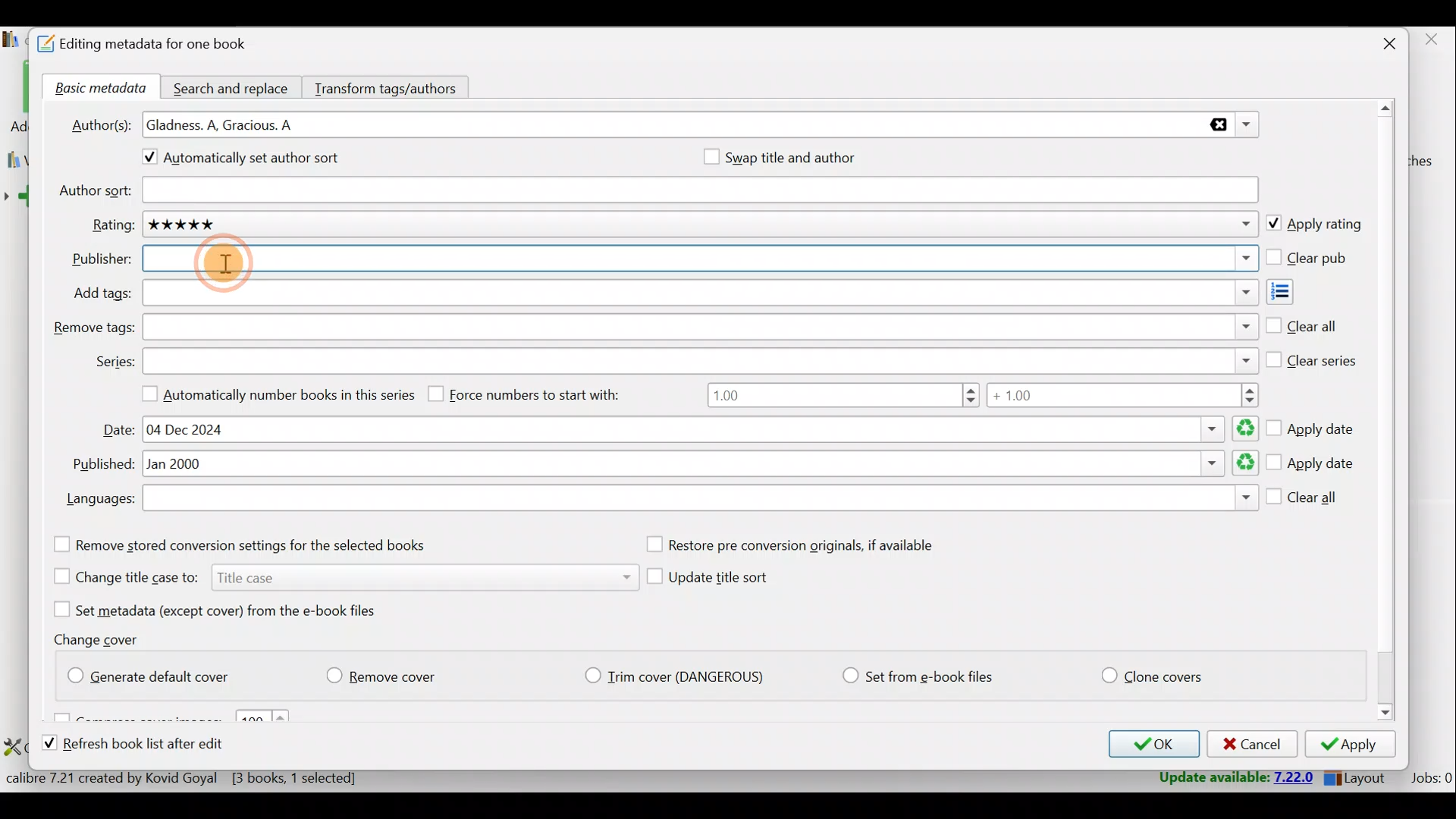 This screenshot has width=1456, height=819. What do you see at coordinates (1250, 745) in the screenshot?
I see `Cancel` at bounding box center [1250, 745].